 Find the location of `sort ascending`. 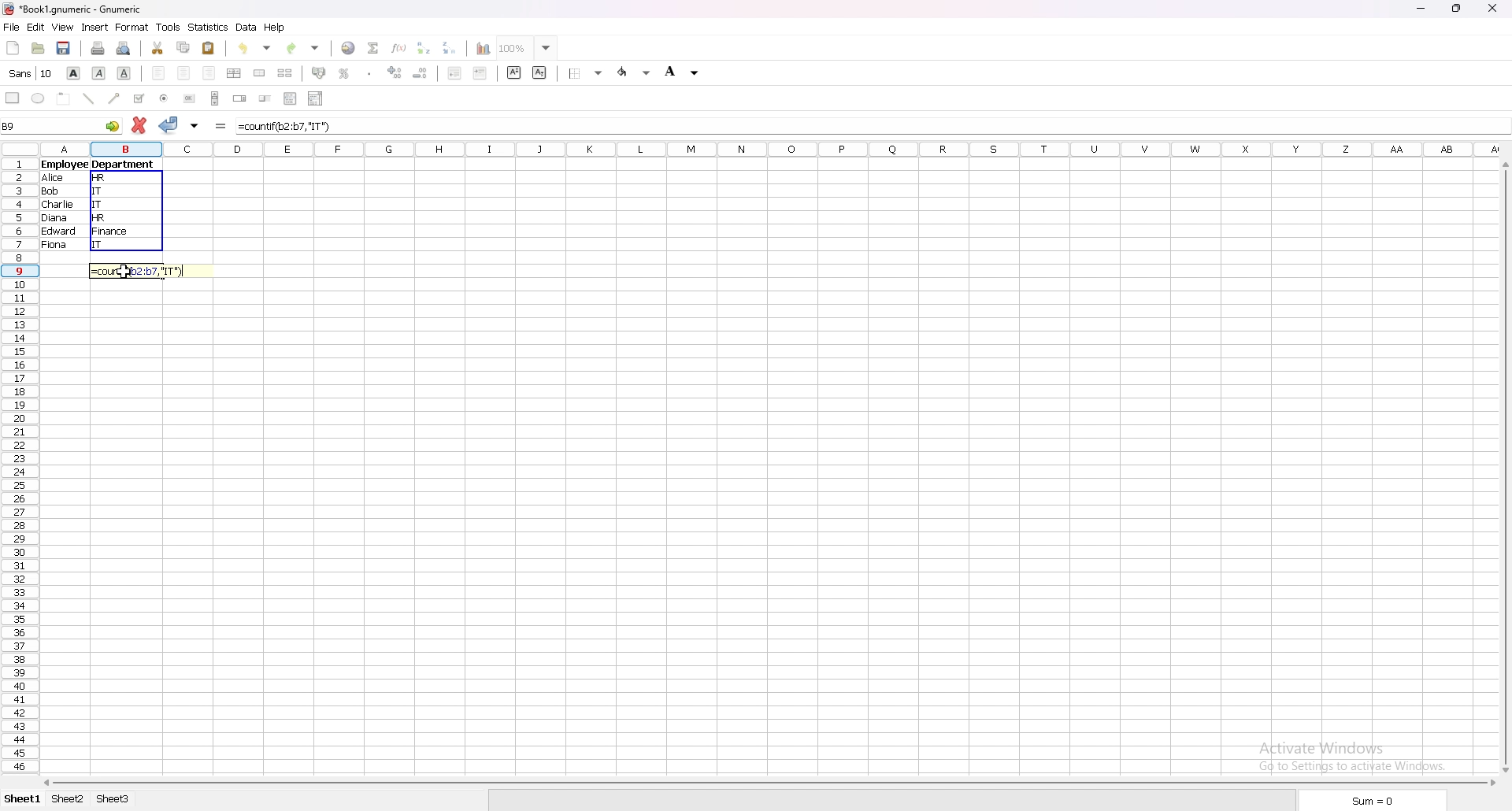

sort ascending is located at coordinates (424, 48).